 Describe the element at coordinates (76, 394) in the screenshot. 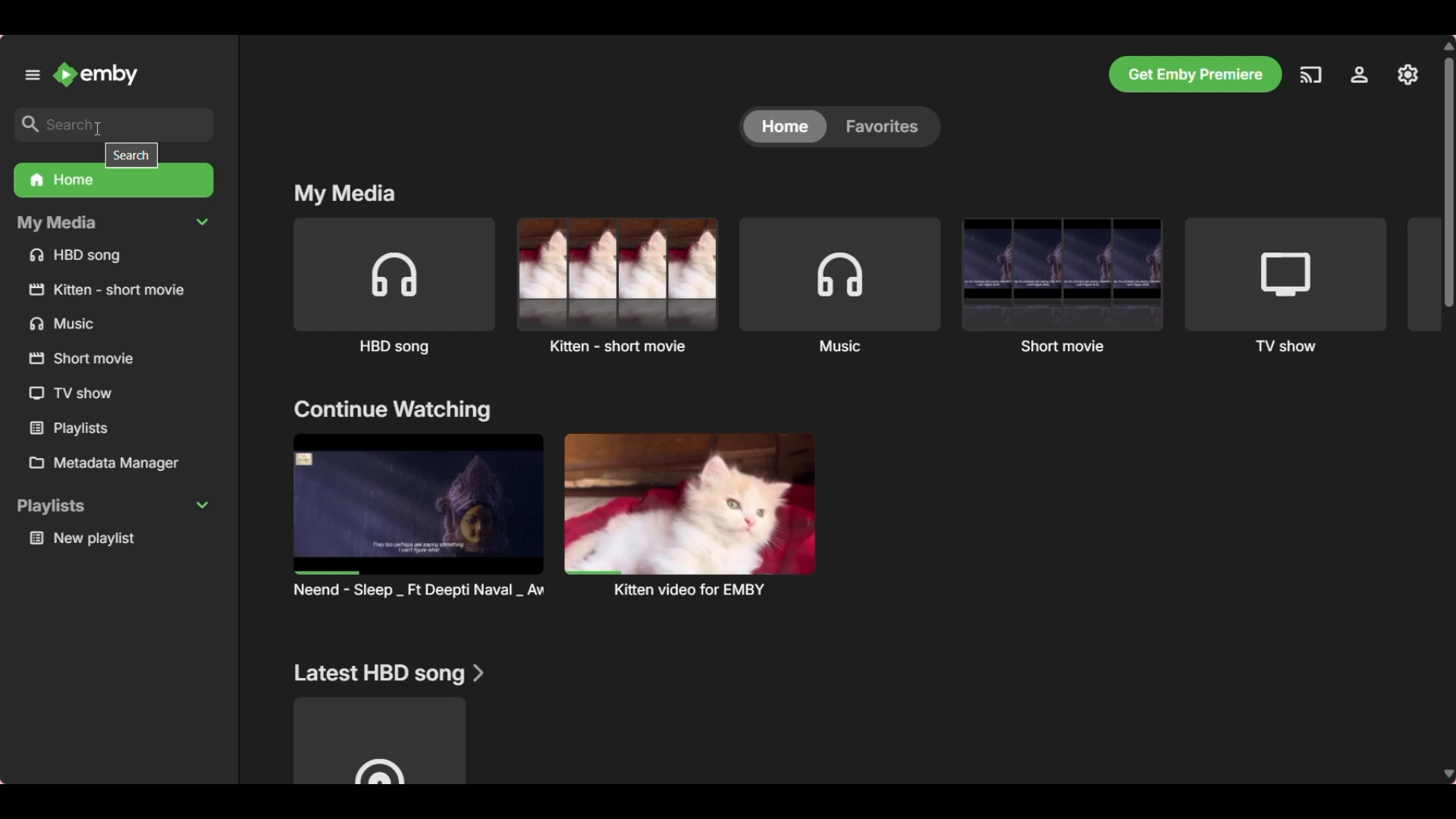

I see `` at that location.